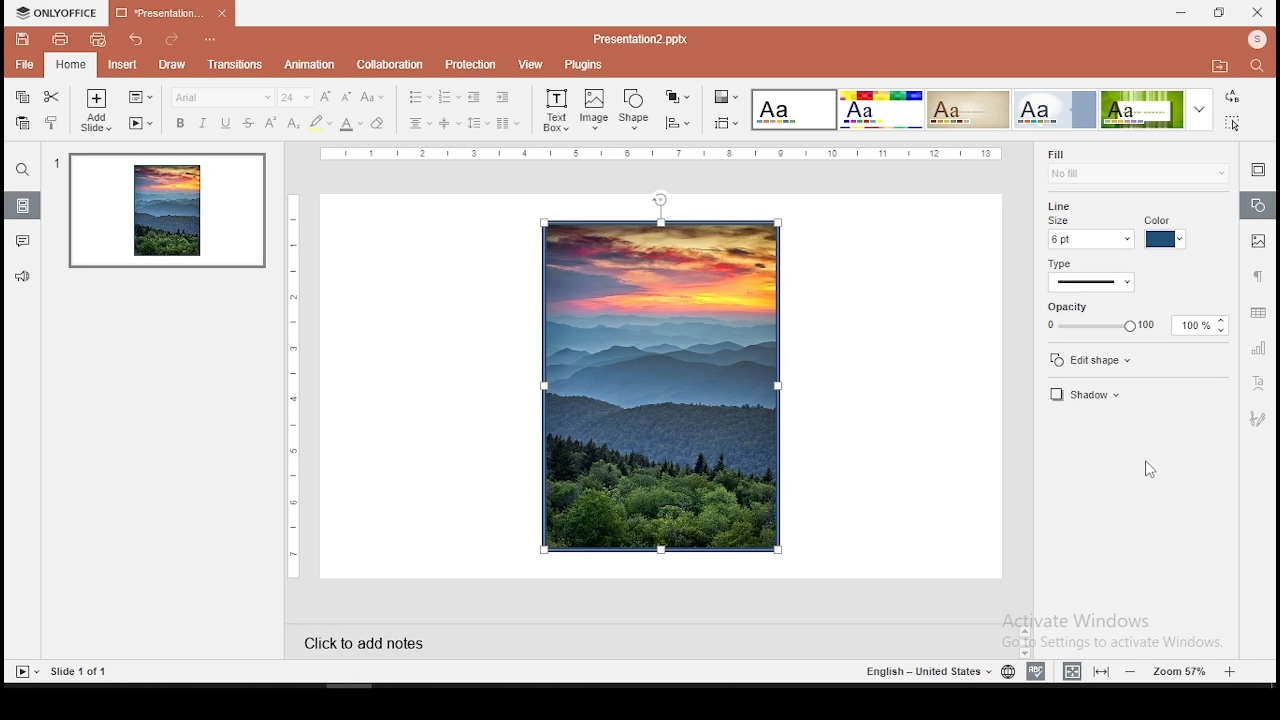 This screenshot has height=720, width=1280. Describe the element at coordinates (1089, 233) in the screenshot. I see `line size` at that location.